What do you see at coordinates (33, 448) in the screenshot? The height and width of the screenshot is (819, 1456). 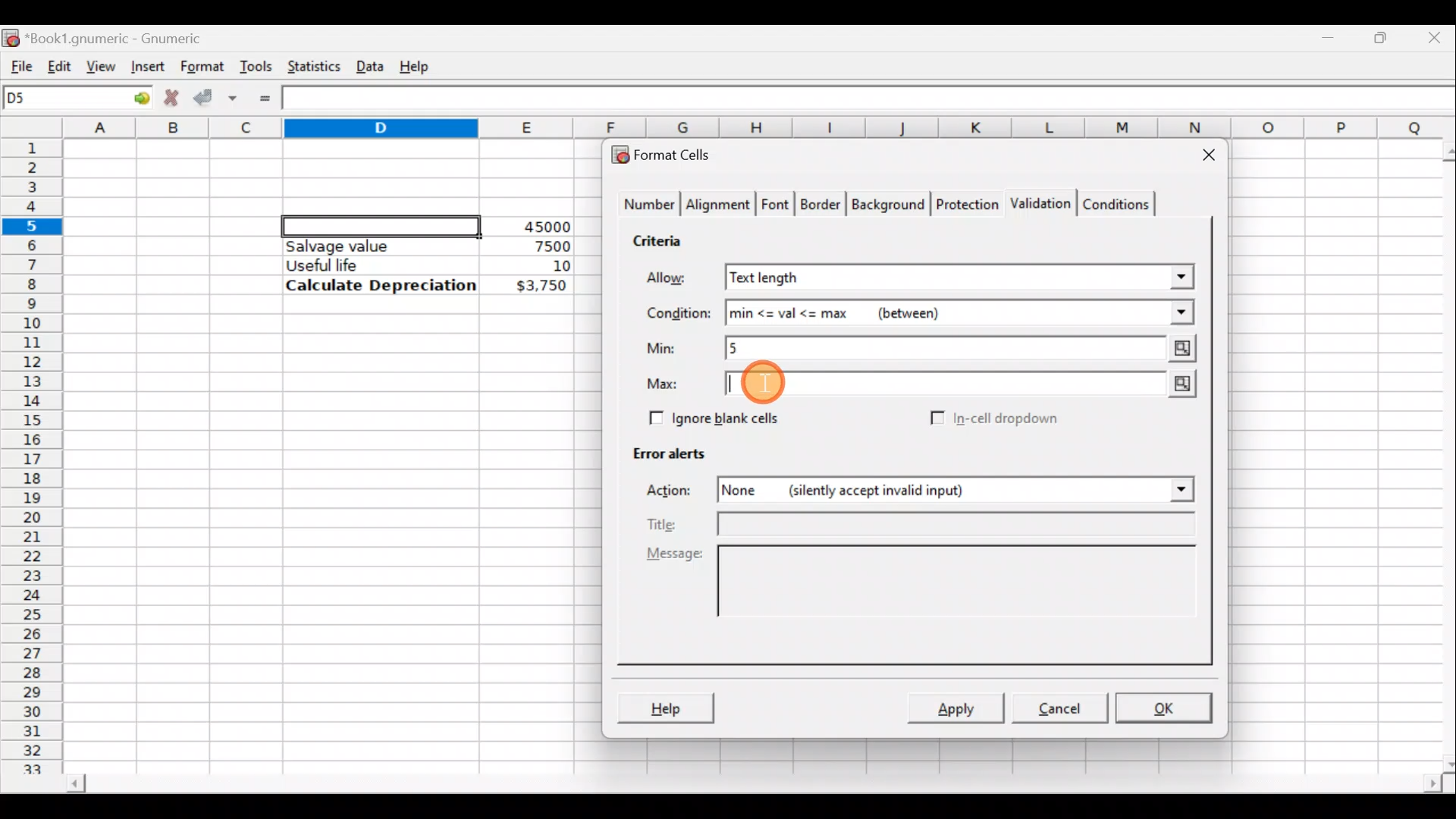 I see `Rows` at bounding box center [33, 448].